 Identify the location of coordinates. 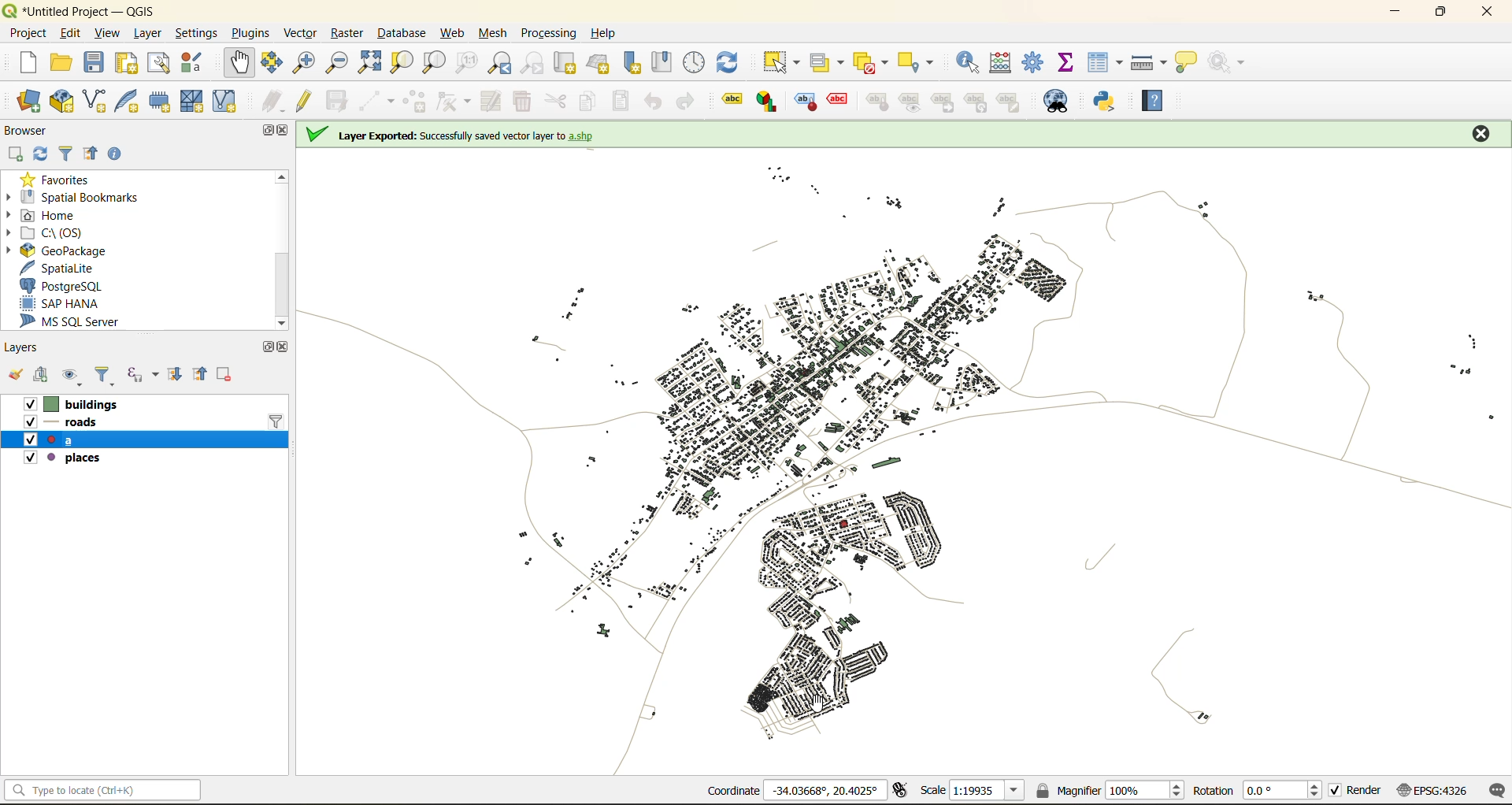
(787, 790).